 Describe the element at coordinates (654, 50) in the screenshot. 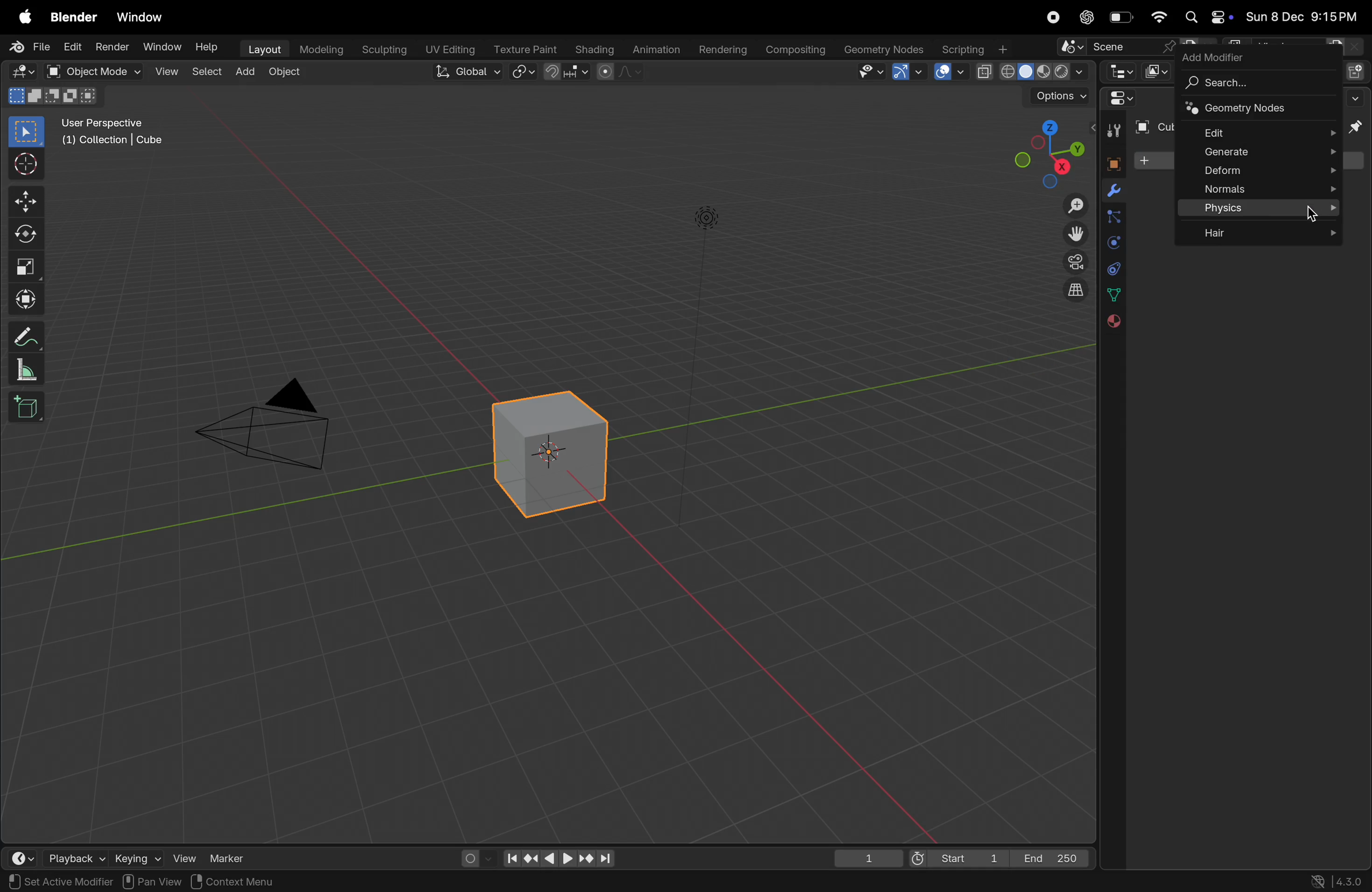

I see `animations` at that location.